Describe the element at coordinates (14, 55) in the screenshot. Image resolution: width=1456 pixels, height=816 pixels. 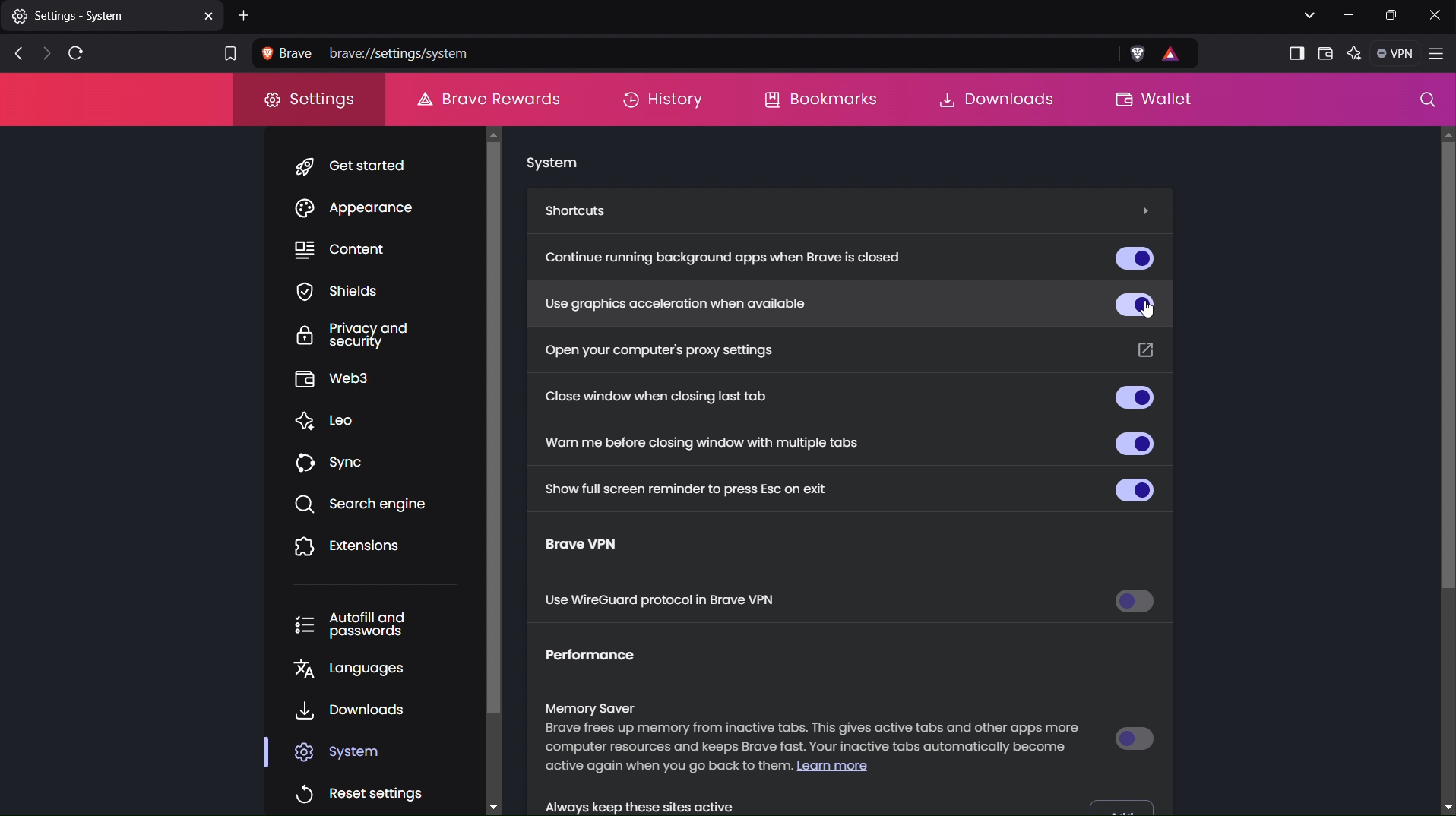
I see `Previous Tab` at that location.